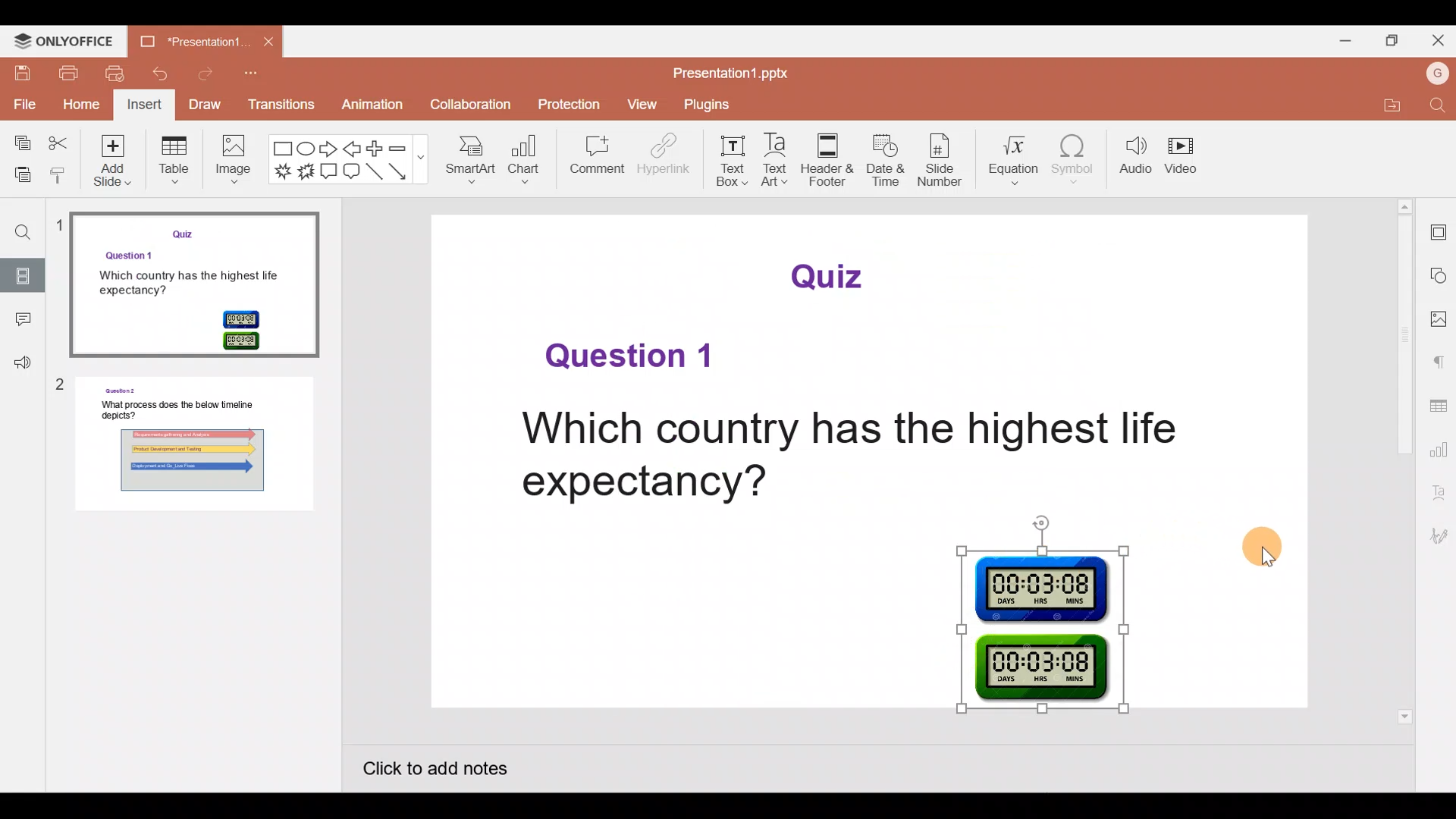 This screenshot has width=1456, height=819. I want to click on ONLYOFFICE, so click(72, 42).